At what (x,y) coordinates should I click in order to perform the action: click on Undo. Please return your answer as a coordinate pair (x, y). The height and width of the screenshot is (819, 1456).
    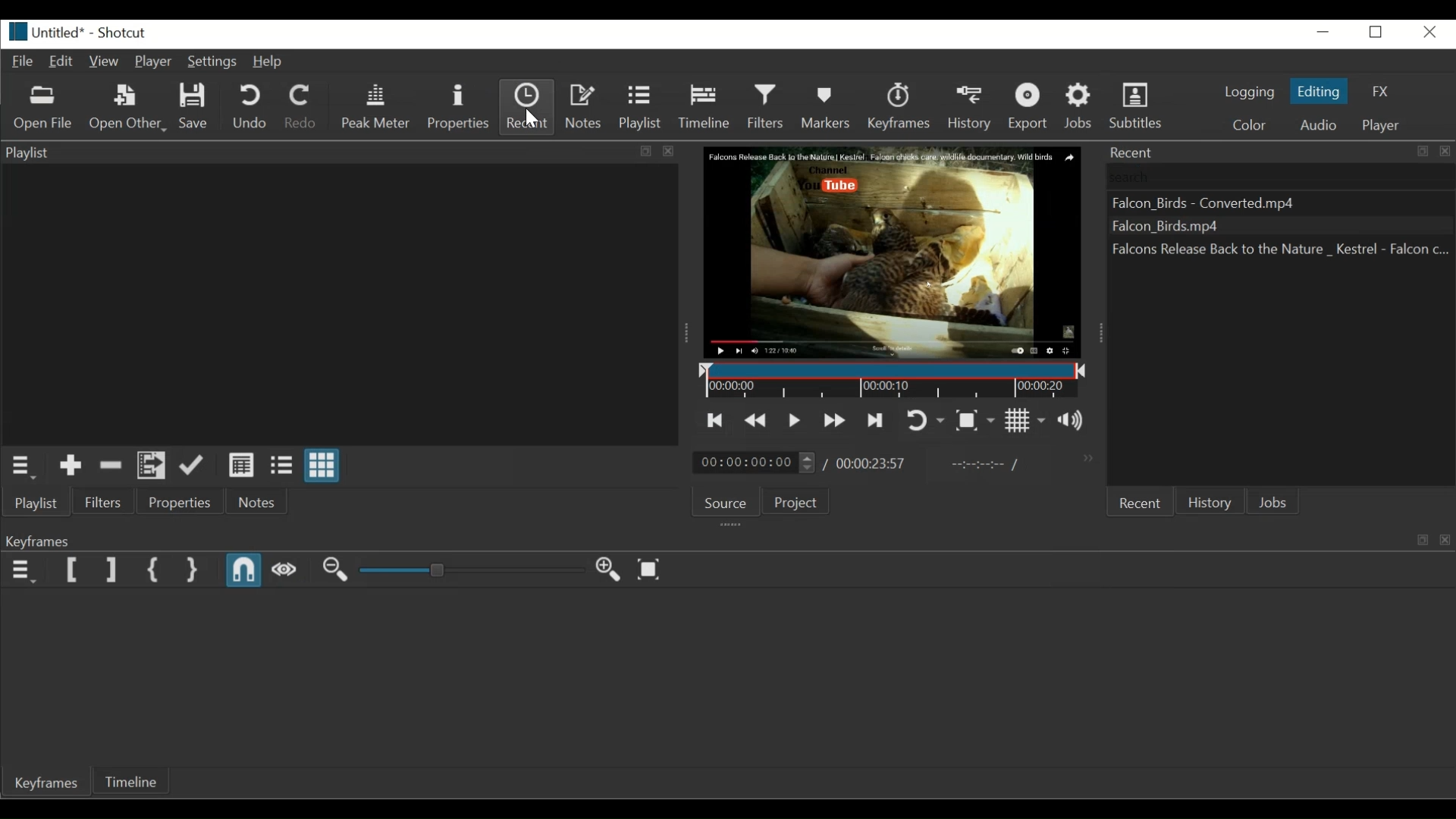
    Looking at the image, I should click on (249, 108).